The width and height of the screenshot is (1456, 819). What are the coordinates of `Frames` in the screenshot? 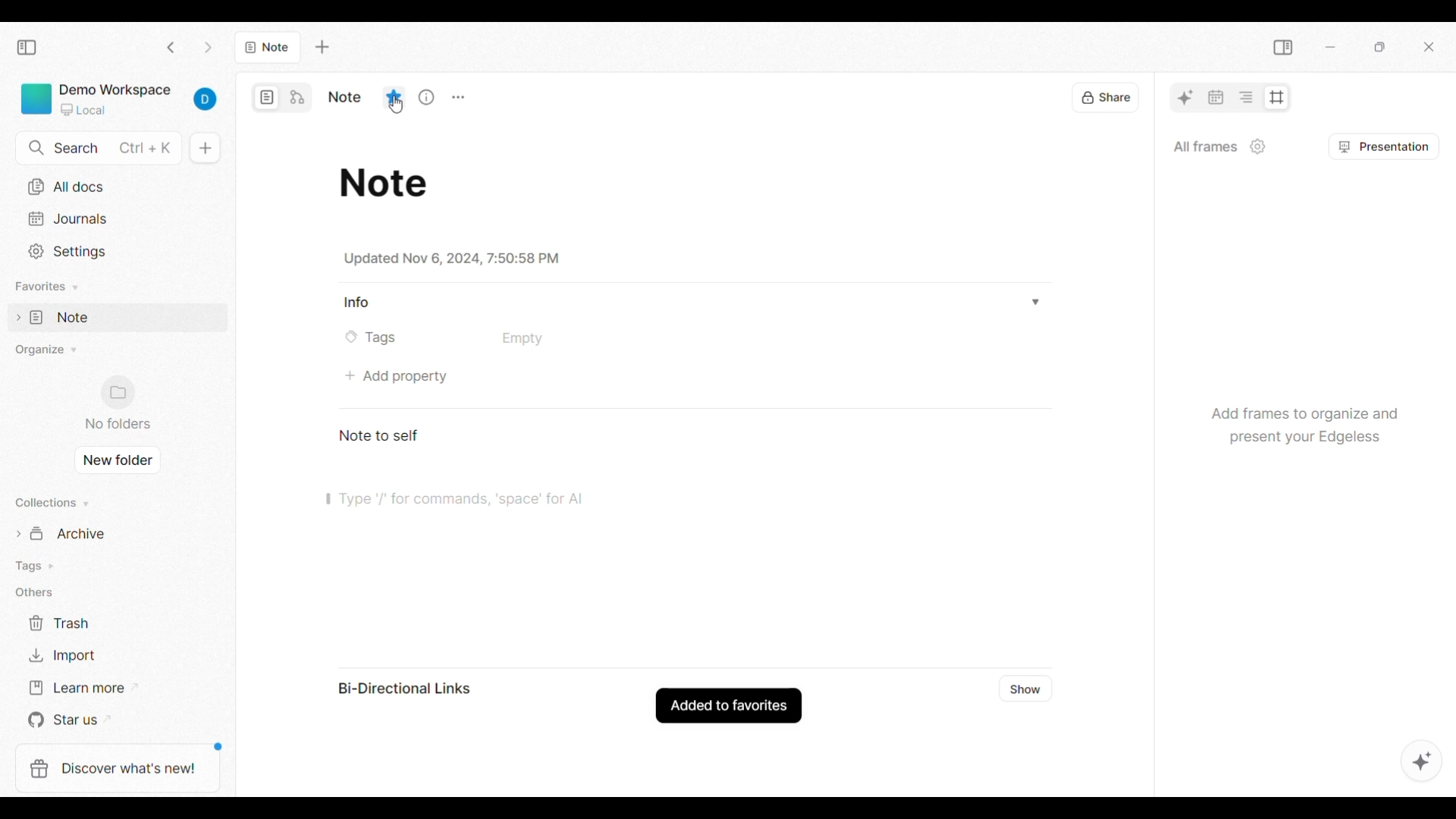 It's located at (1276, 98).